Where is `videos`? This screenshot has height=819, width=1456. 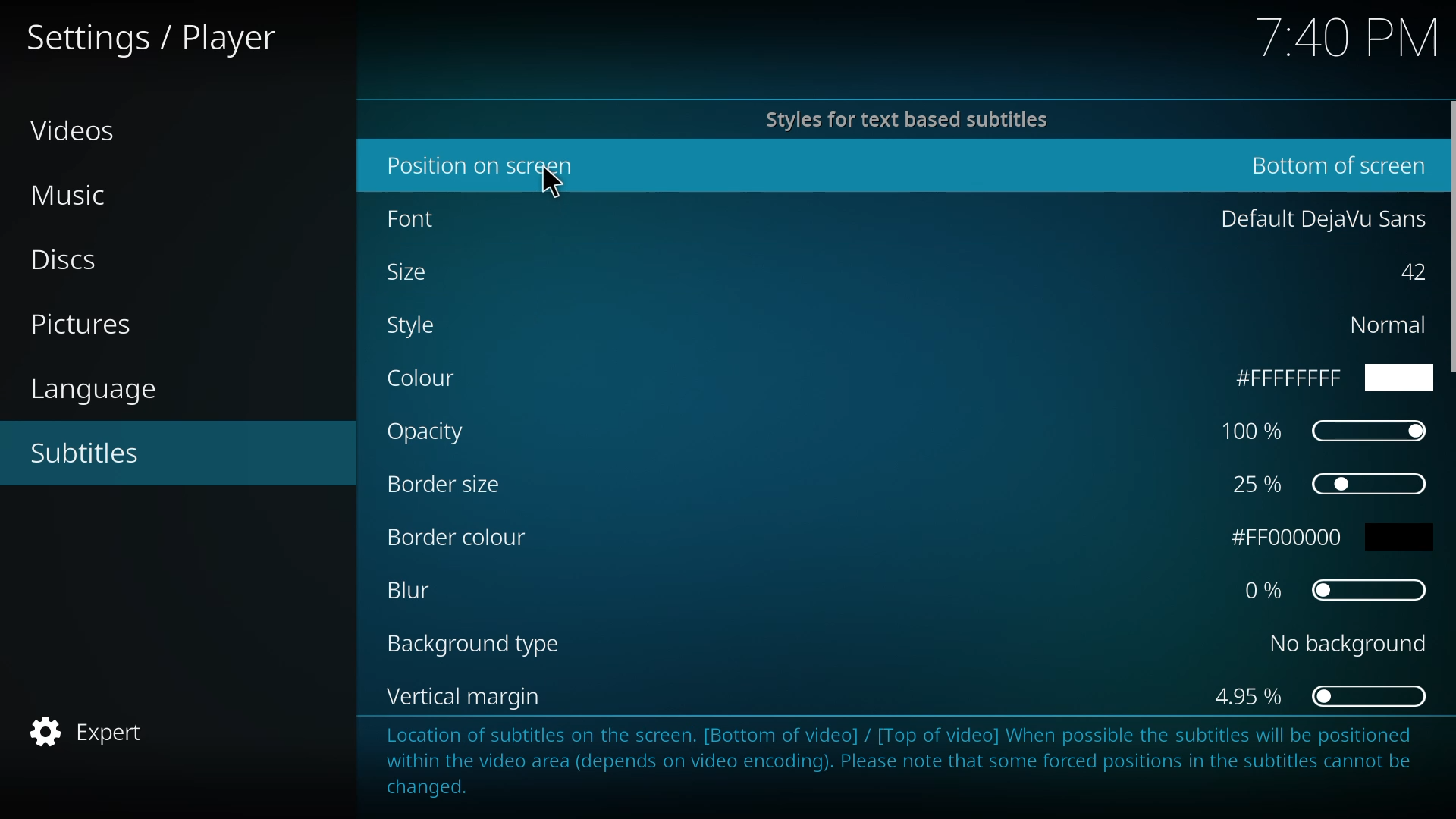 videos is located at coordinates (78, 133).